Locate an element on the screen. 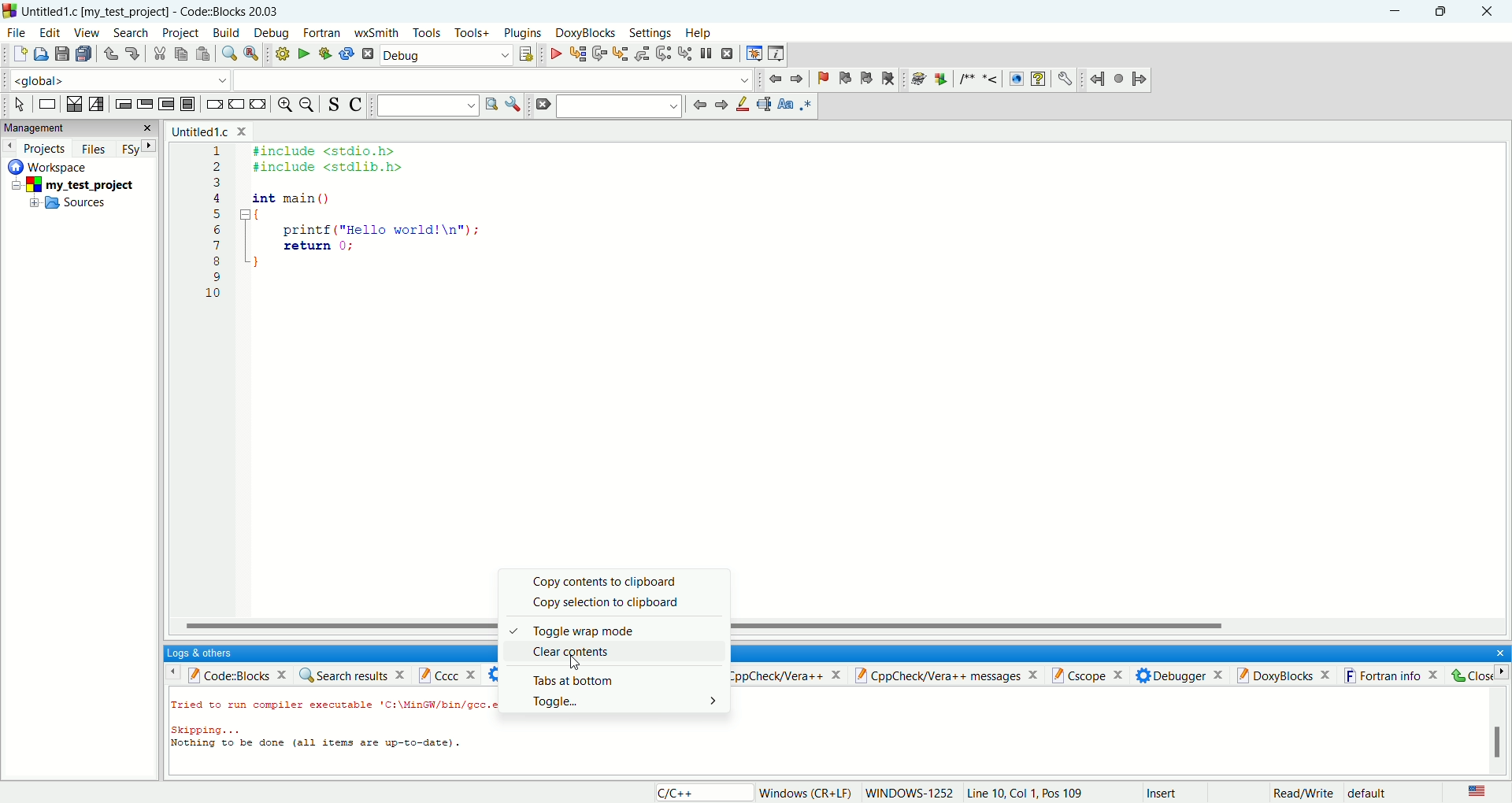 The image size is (1512, 803). paste is located at coordinates (202, 54).